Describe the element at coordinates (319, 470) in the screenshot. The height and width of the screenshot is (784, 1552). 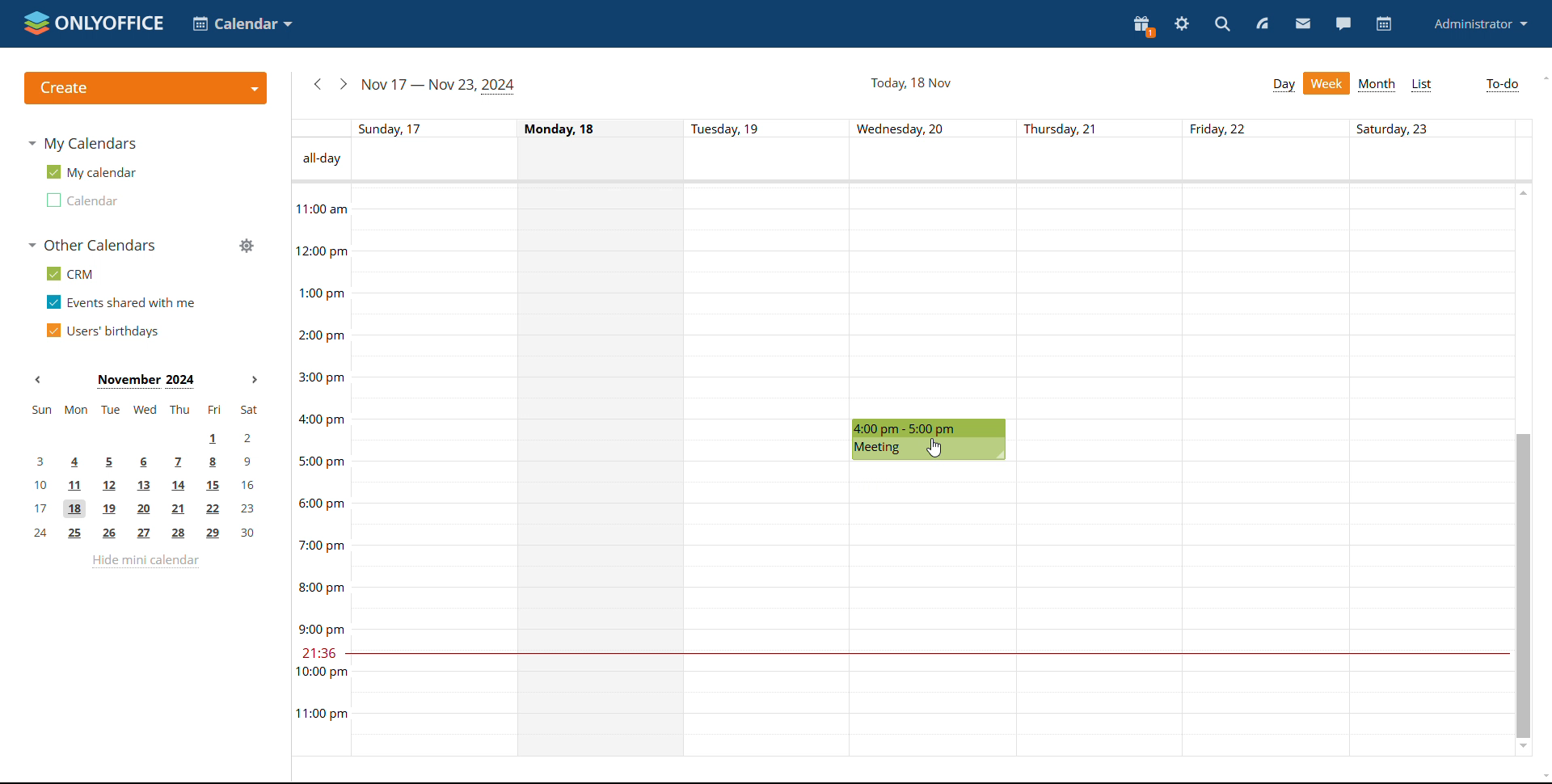
I see `time line` at that location.